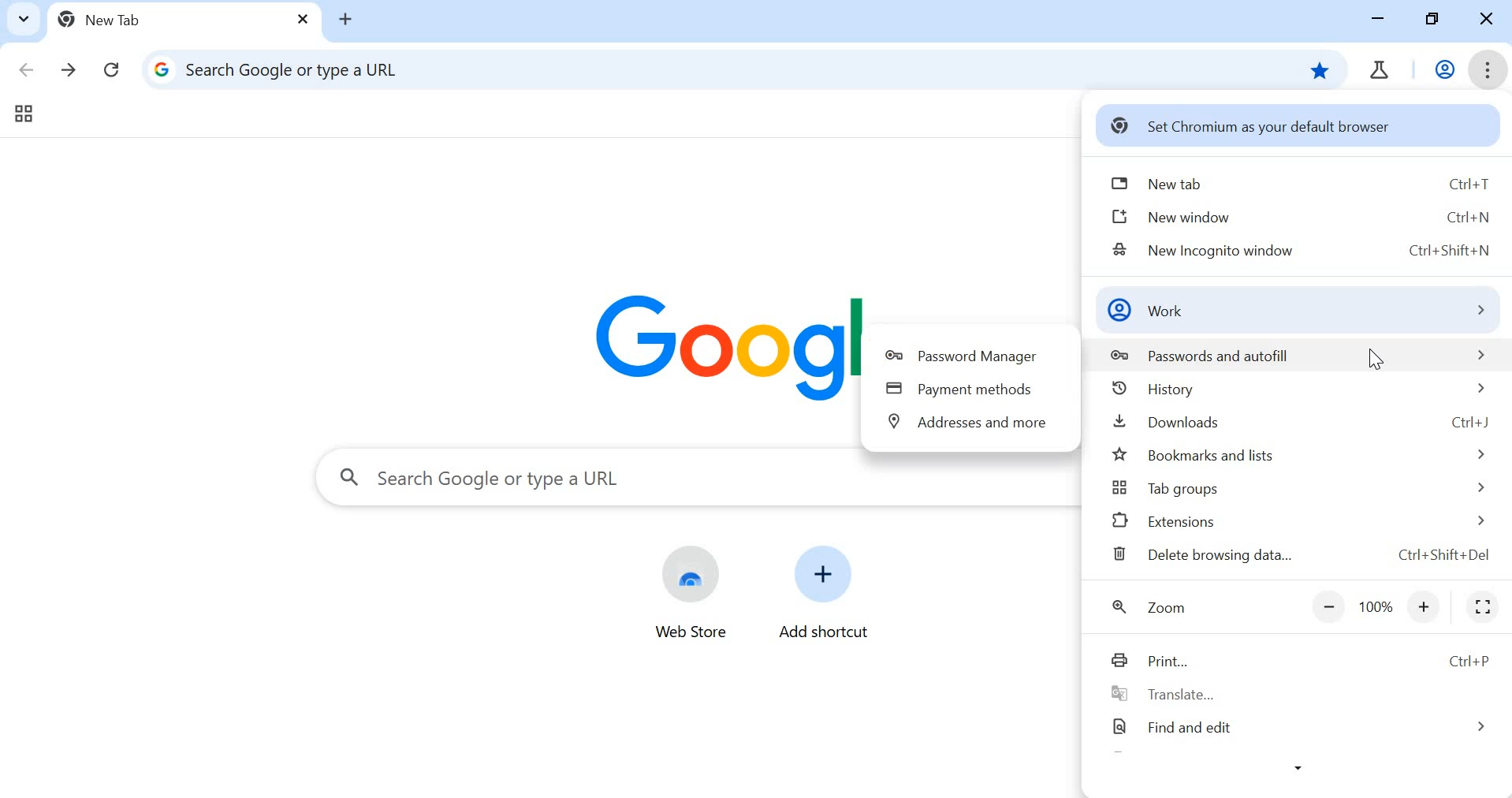  What do you see at coordinates (1296, 179) in the screenshot?
I see `new tab` at bounding box center [1296, 179].